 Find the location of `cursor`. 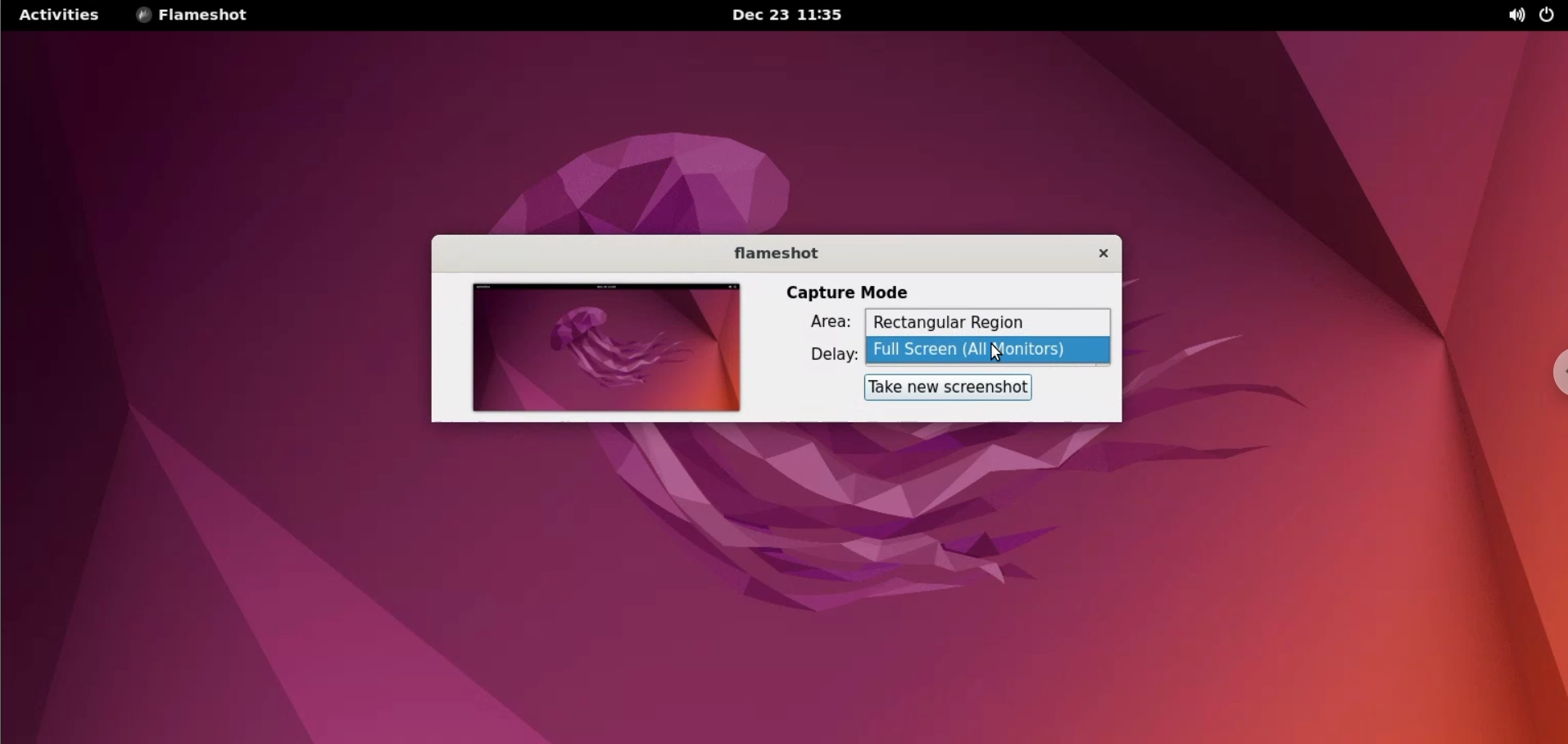

cursor is located at coordinates (999, 355).